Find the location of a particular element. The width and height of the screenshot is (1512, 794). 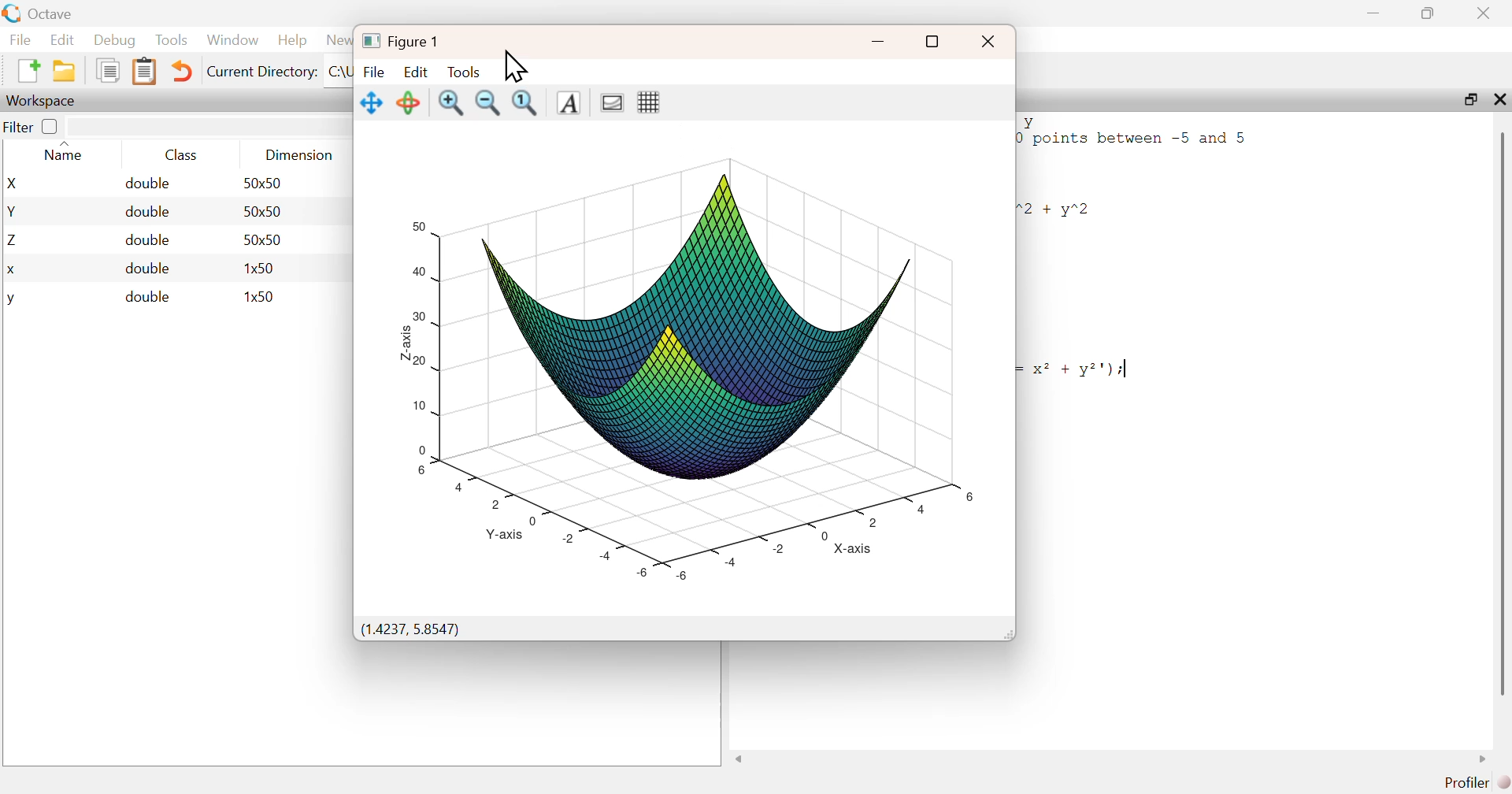

50x50 is located at coordinates (264, 239).